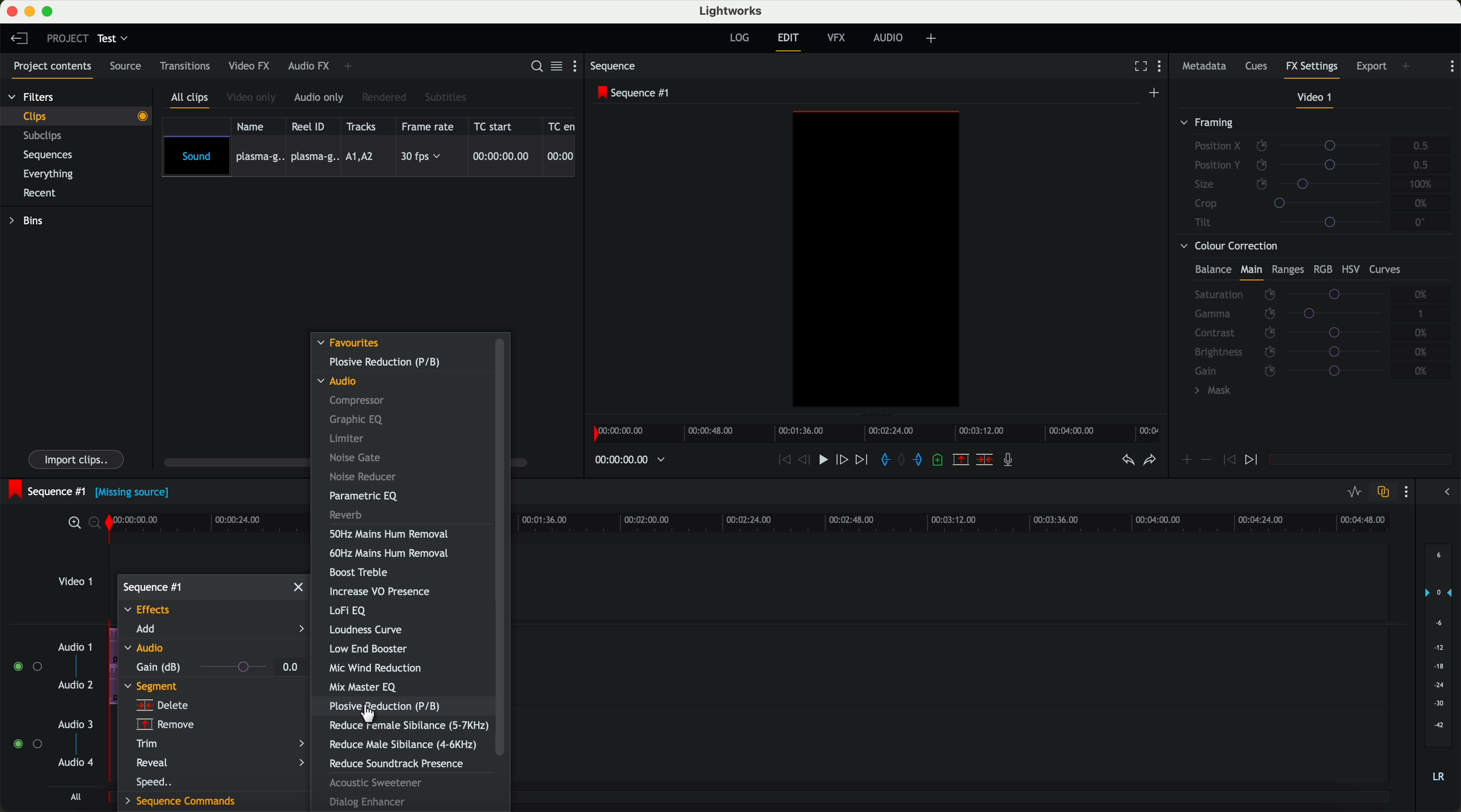 The height and width of the screenshot is (812, 1461). I want to click on trim, so click(221, 744).